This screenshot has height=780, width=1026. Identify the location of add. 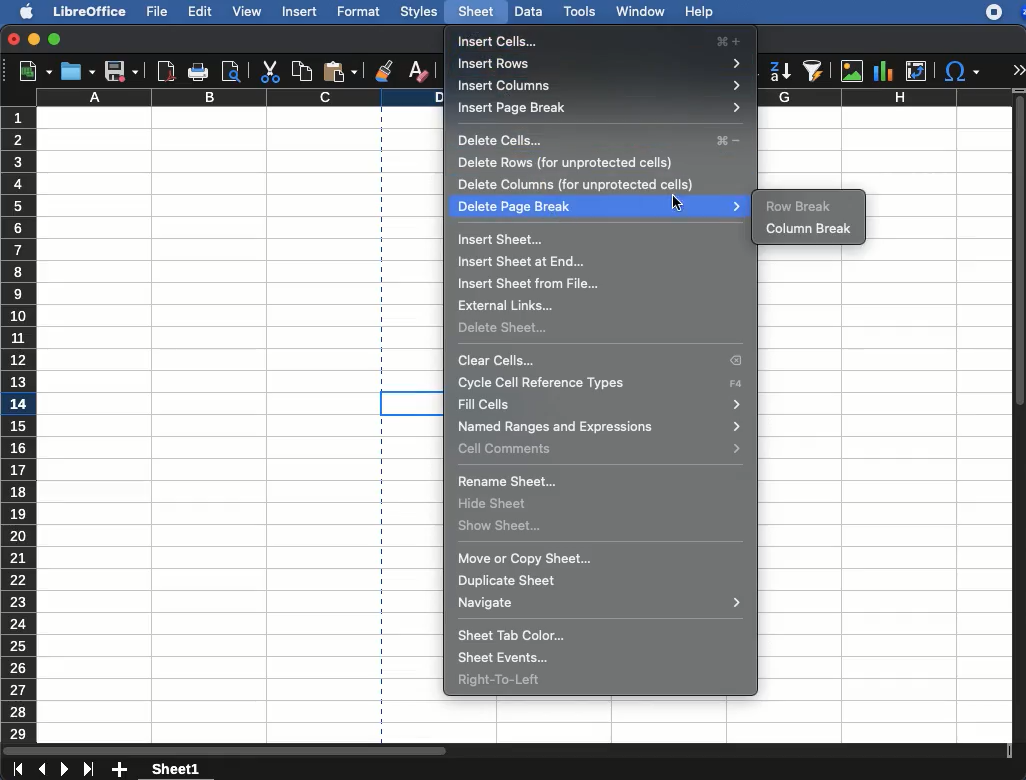
(122, 770).